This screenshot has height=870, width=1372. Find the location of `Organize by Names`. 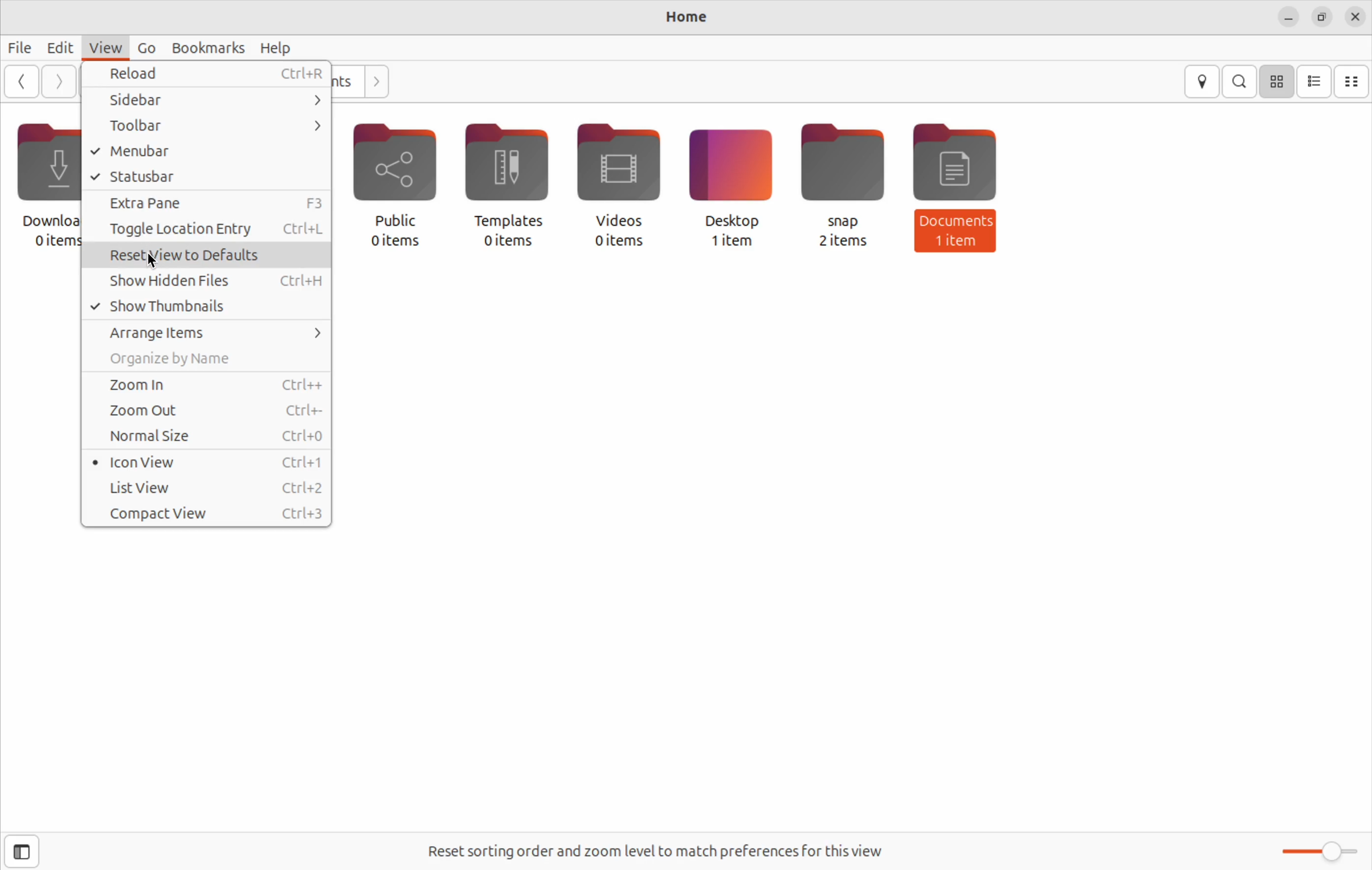

Organize by Names is located at coordinates (205, 359).